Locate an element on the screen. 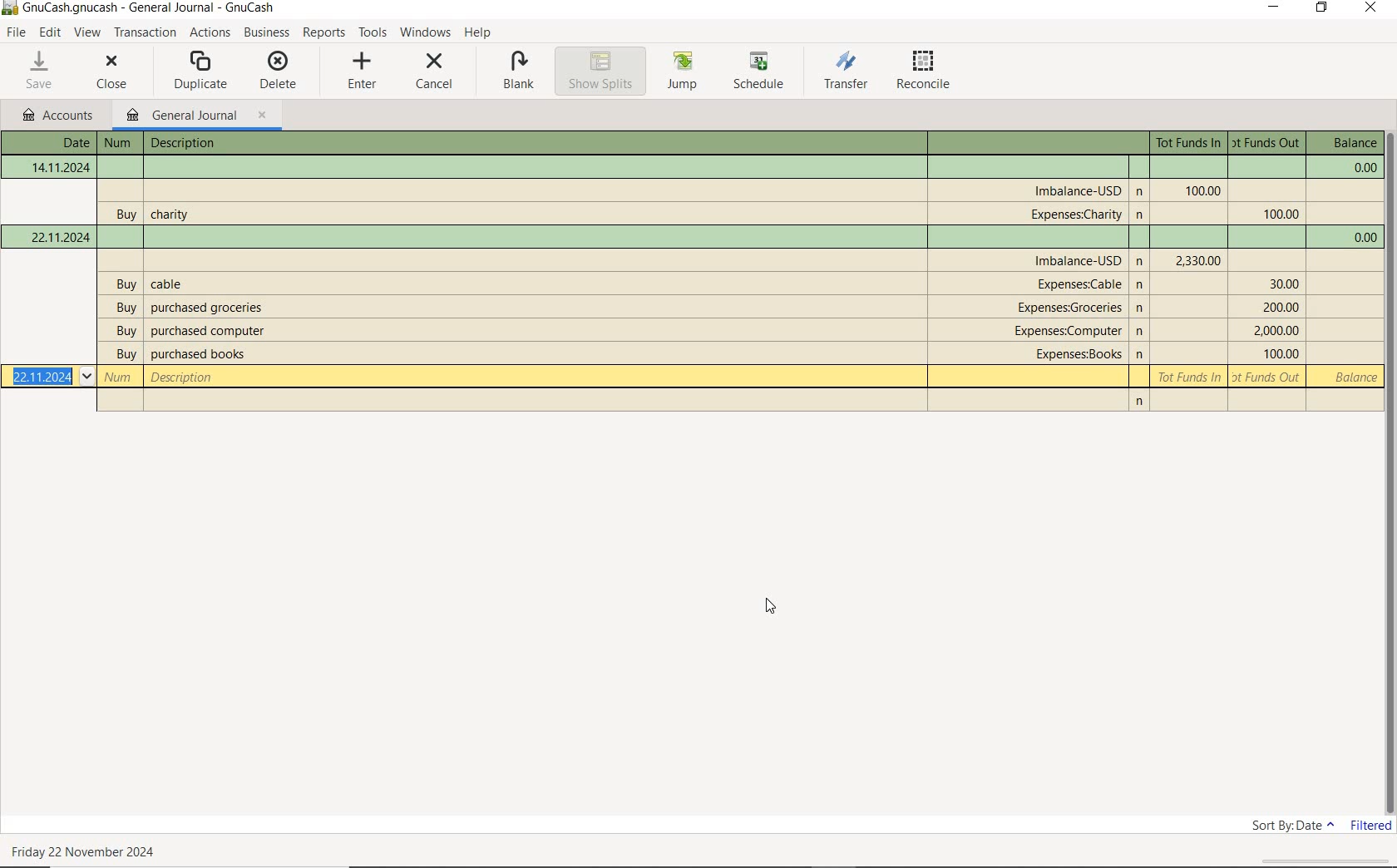 The width and height of the screenshot is (1397, 868). n is located at coordinates (1142, 216).